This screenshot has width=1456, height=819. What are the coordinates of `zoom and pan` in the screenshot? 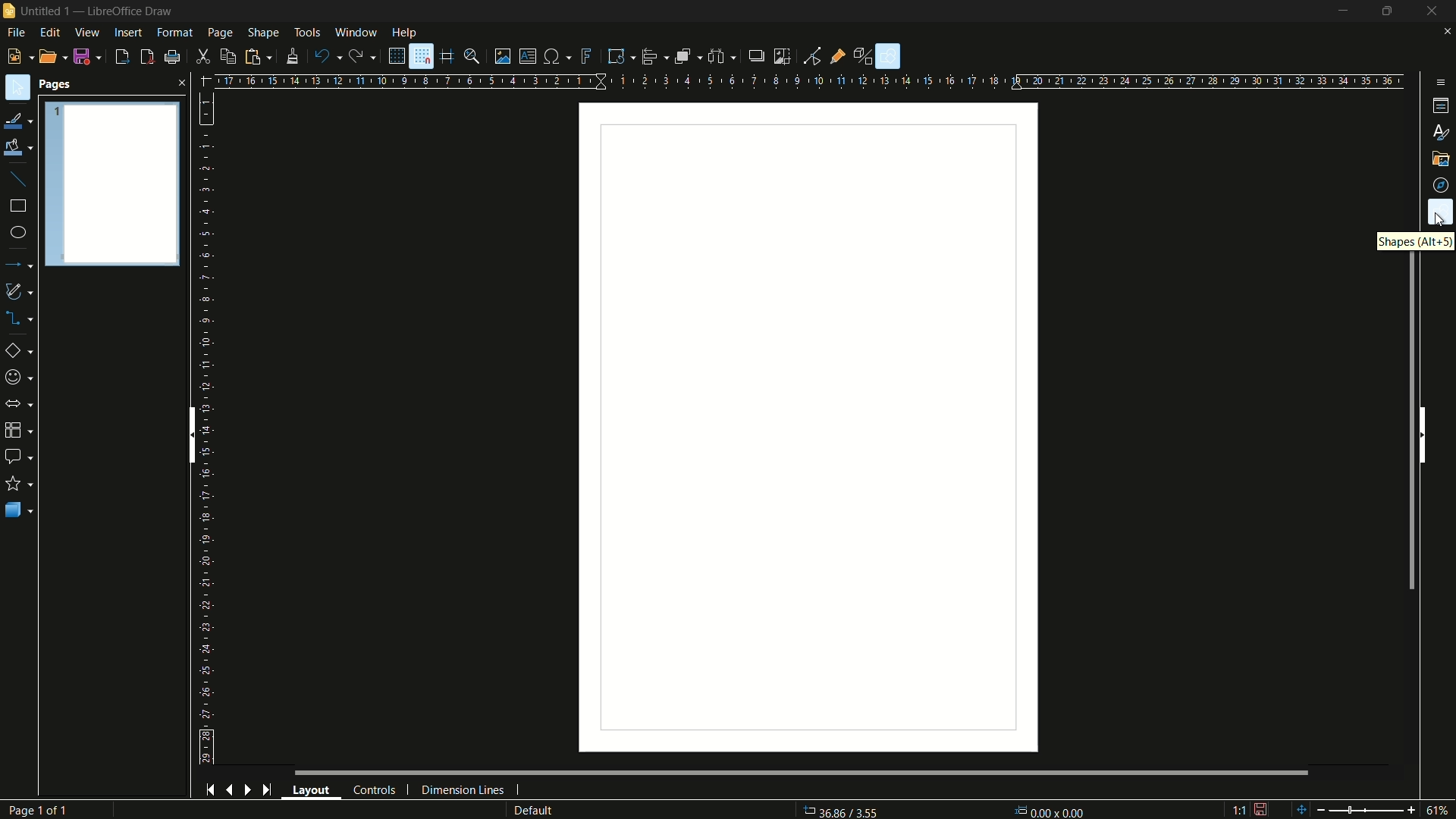 It's located at (472, 56).